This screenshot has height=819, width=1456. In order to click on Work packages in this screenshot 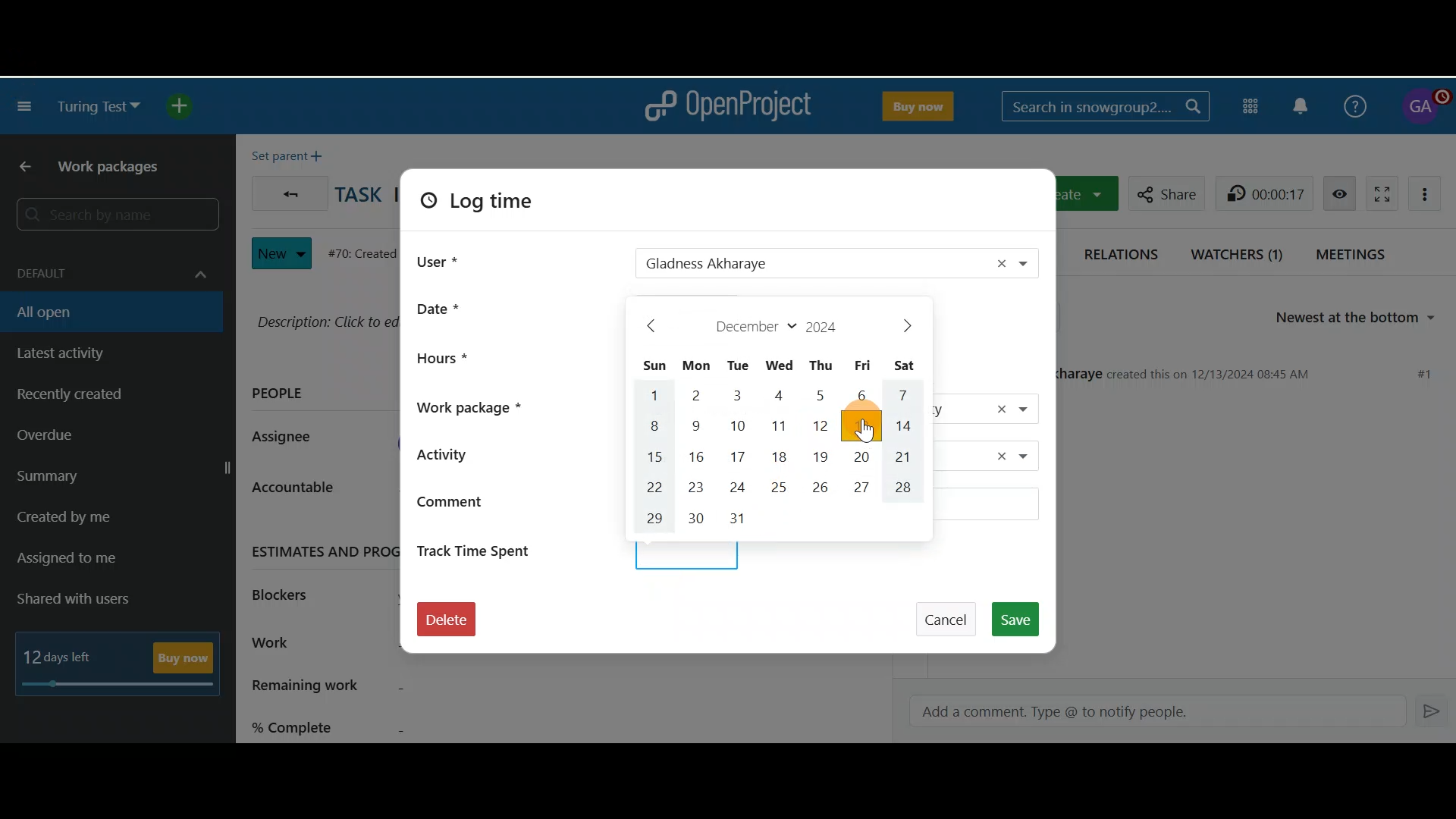, I will do `click(115, 170)`.